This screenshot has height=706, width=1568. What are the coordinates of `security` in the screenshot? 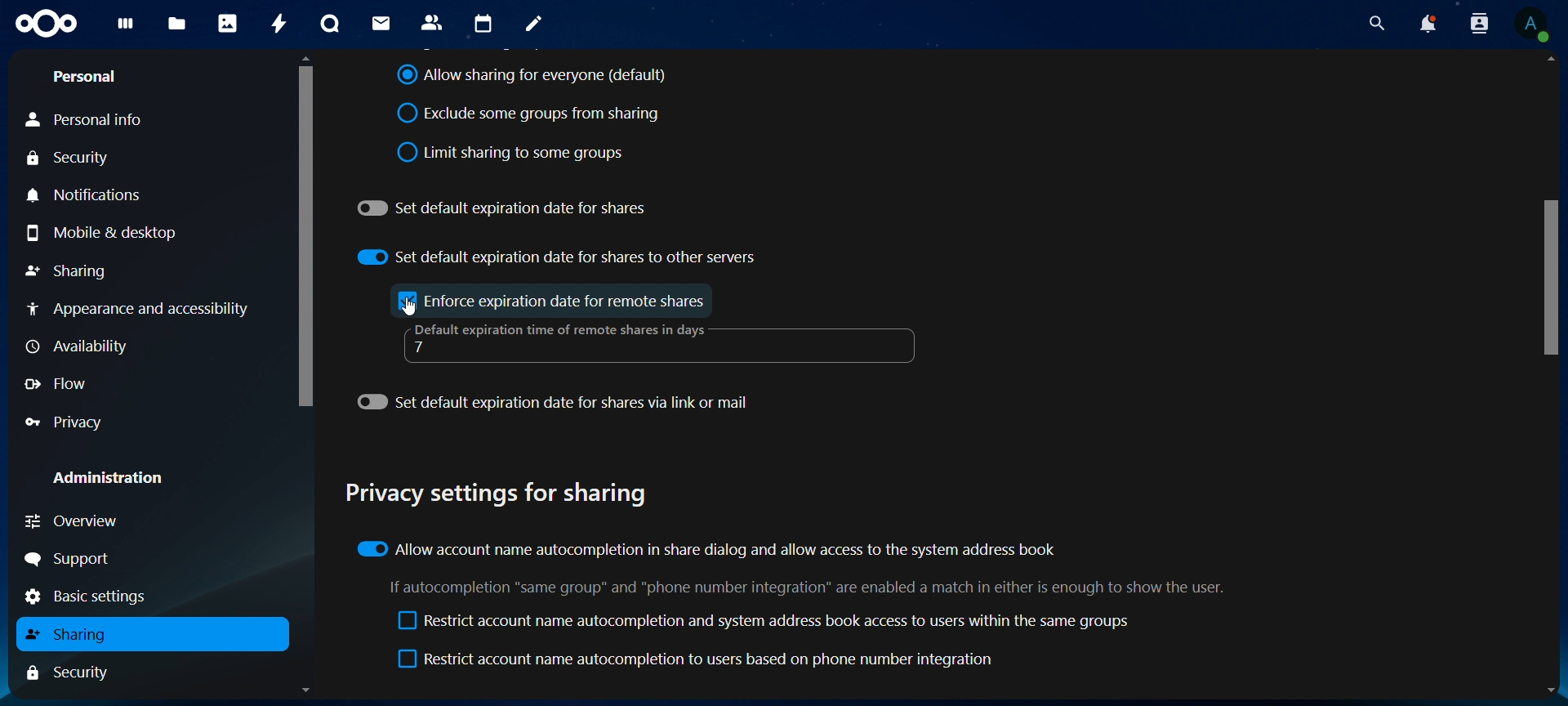 It's located at (78, 672).